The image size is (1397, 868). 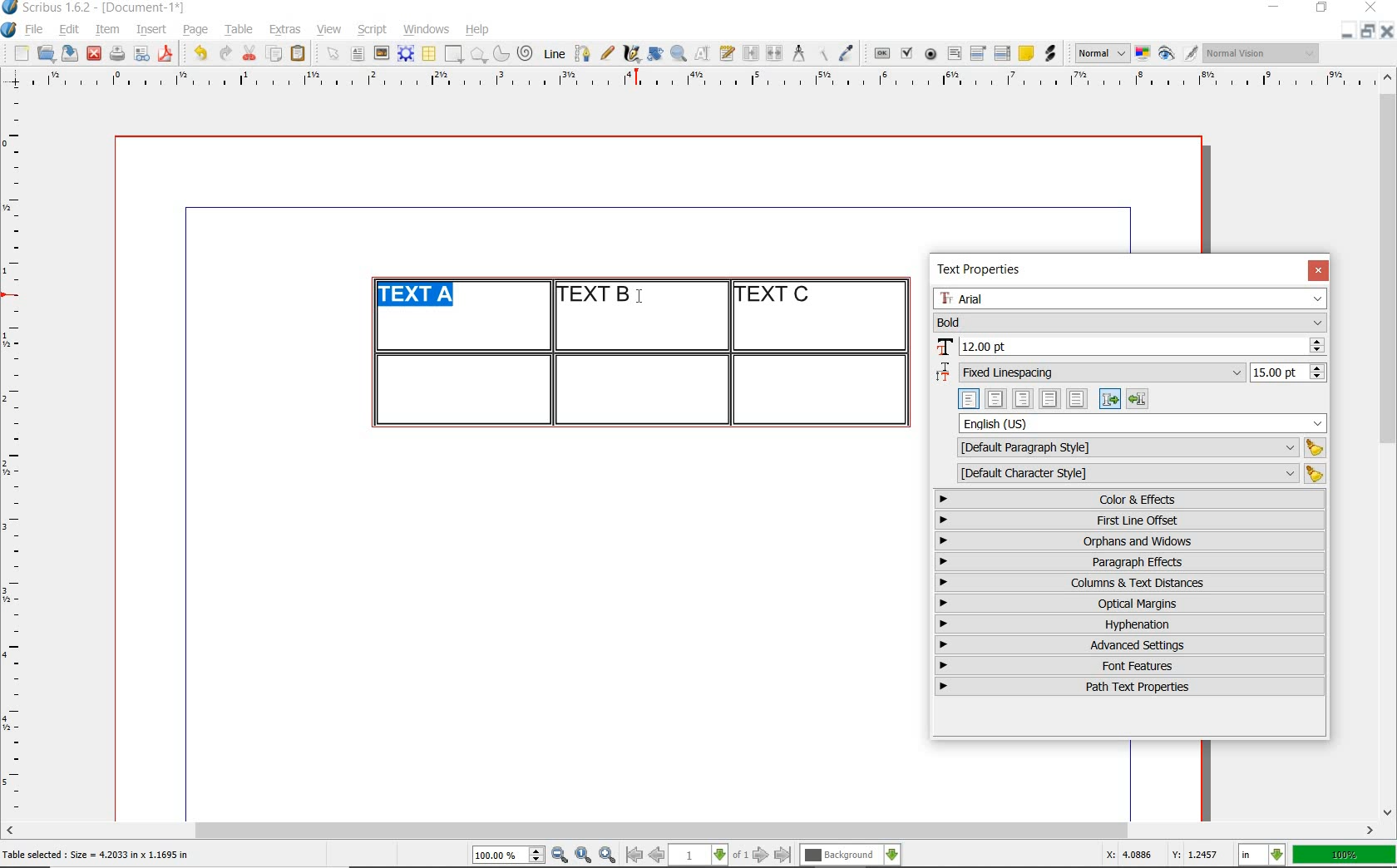 I want to click on pdf radio button, so click(x=931, y=56).